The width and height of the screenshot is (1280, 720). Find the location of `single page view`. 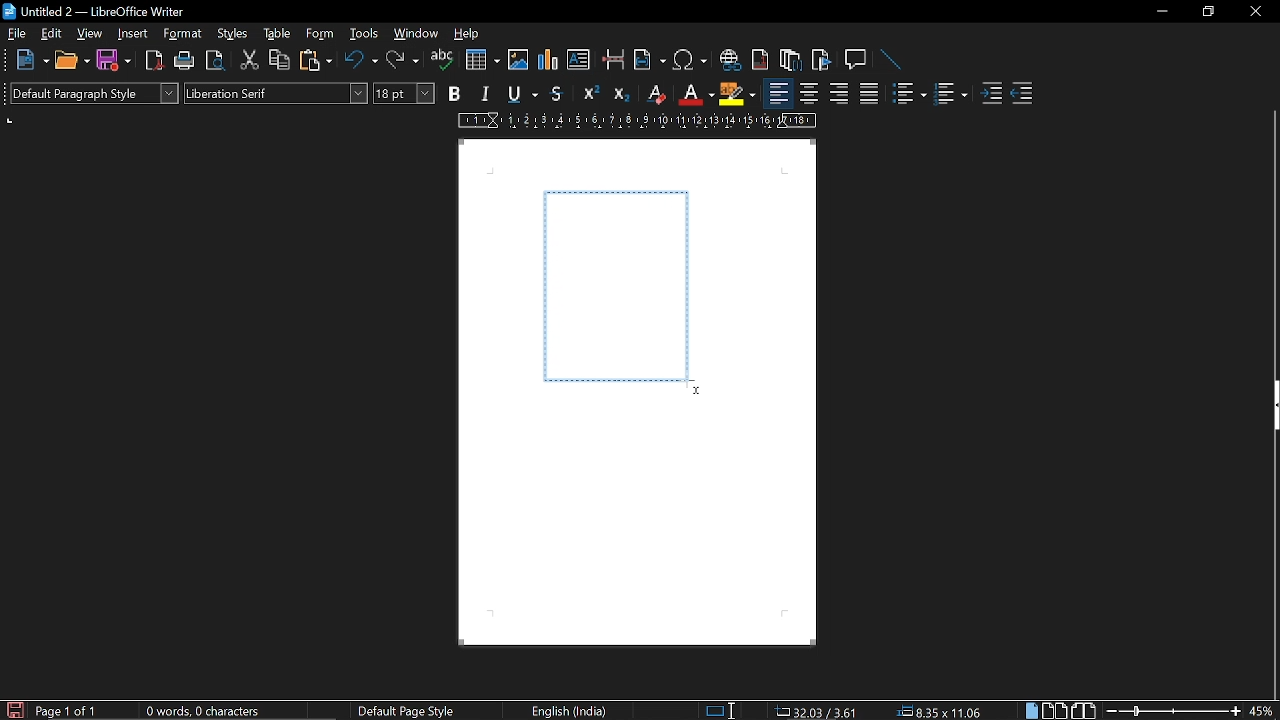

single page view is located at coordinates (1030, 711).